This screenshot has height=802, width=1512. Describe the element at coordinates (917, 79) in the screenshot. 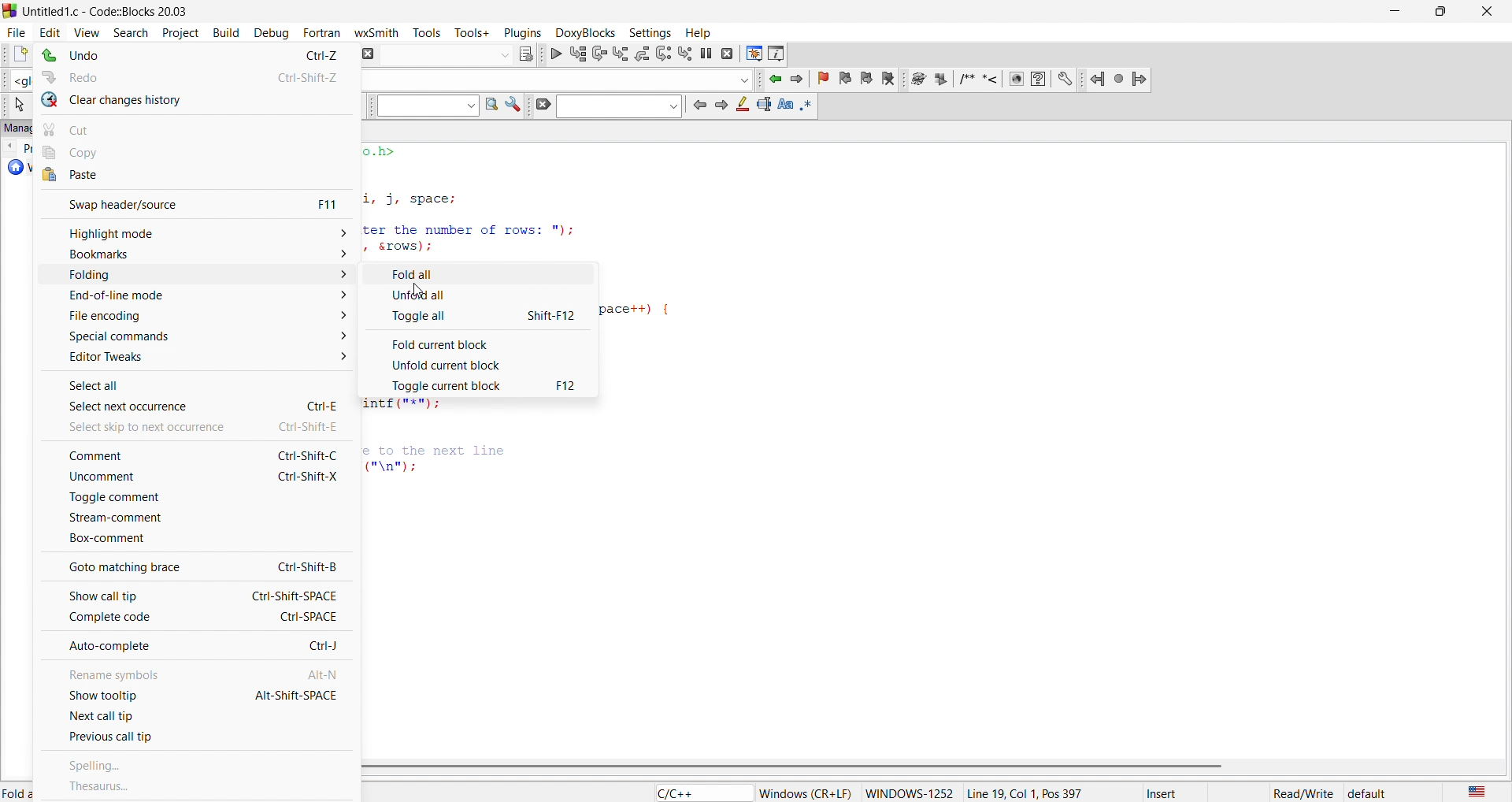

I see `run doxy wizard` at that location.